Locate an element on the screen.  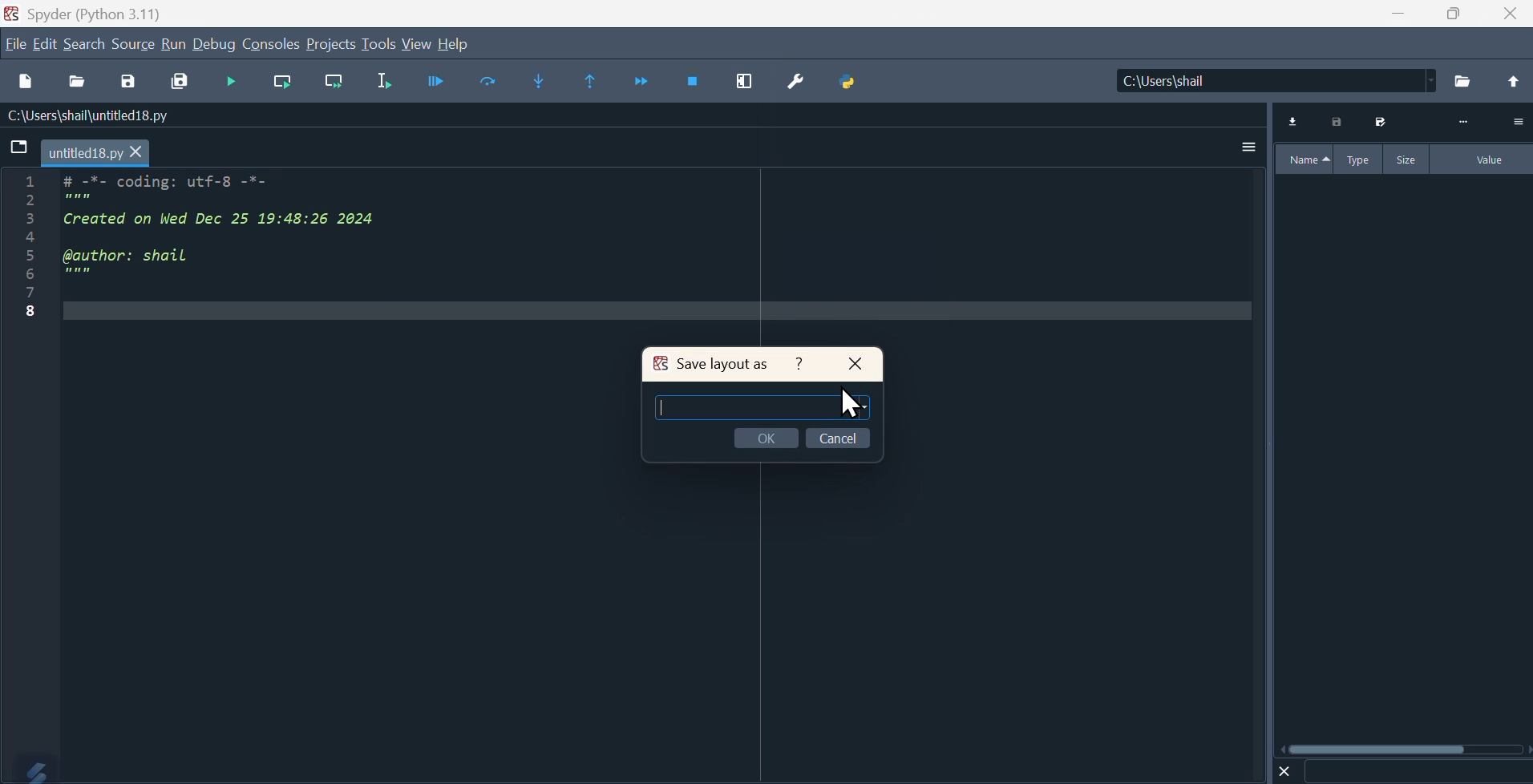
Help is located at coordinates (799, 364).